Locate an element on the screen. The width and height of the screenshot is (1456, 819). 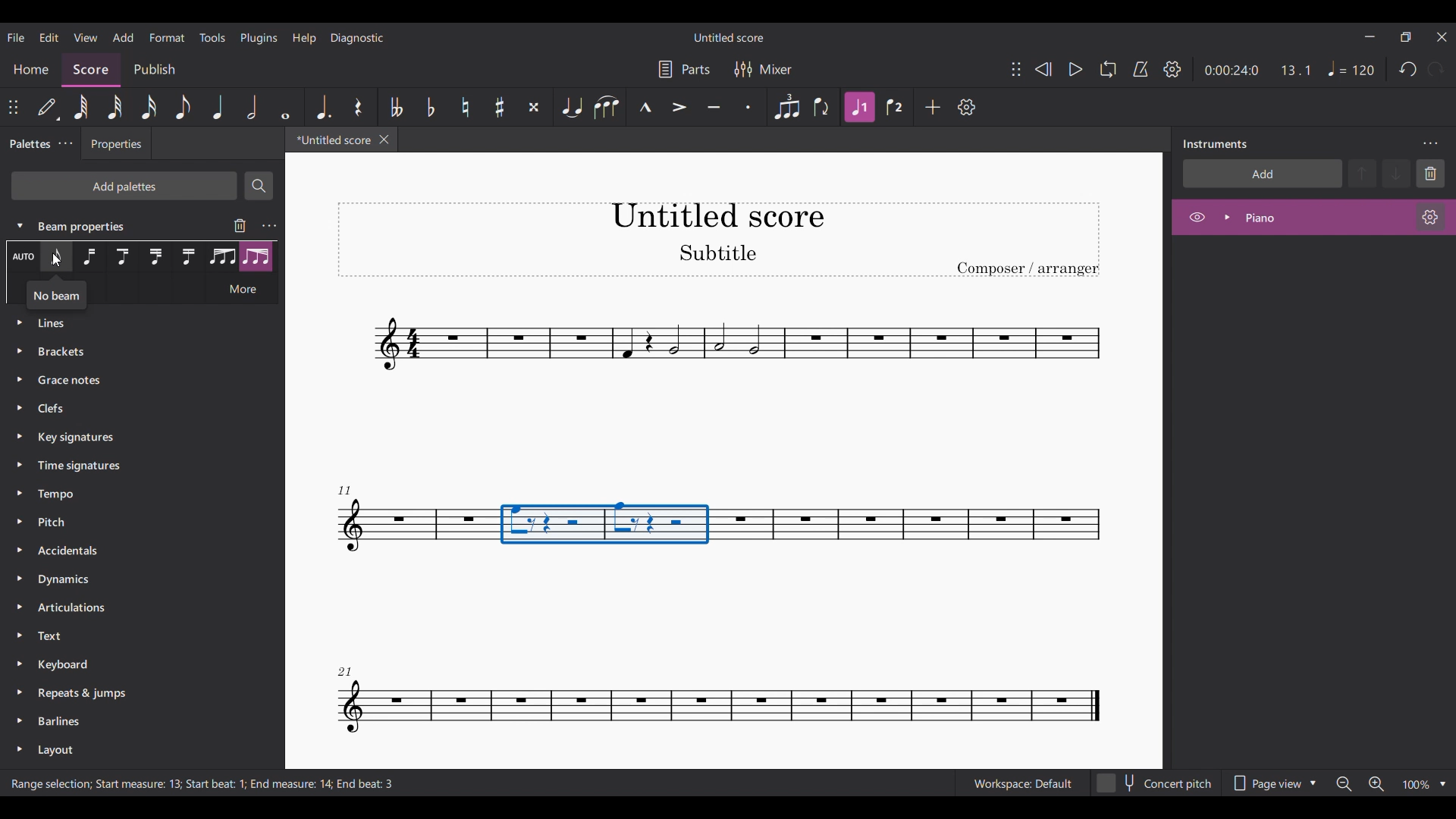
Grace notes is located at coordinates (136, 380).